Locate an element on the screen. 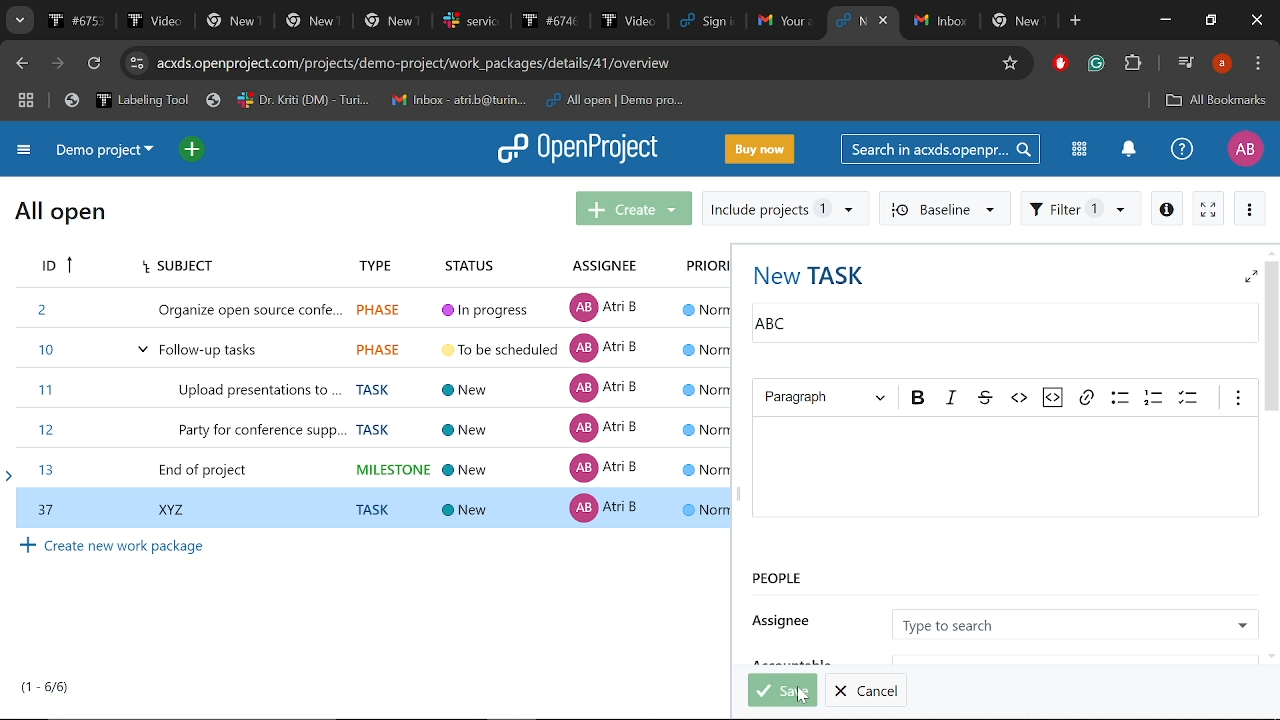 The width and height of the screenshot is (1280, 720). people is located at coordinates (894, 581).